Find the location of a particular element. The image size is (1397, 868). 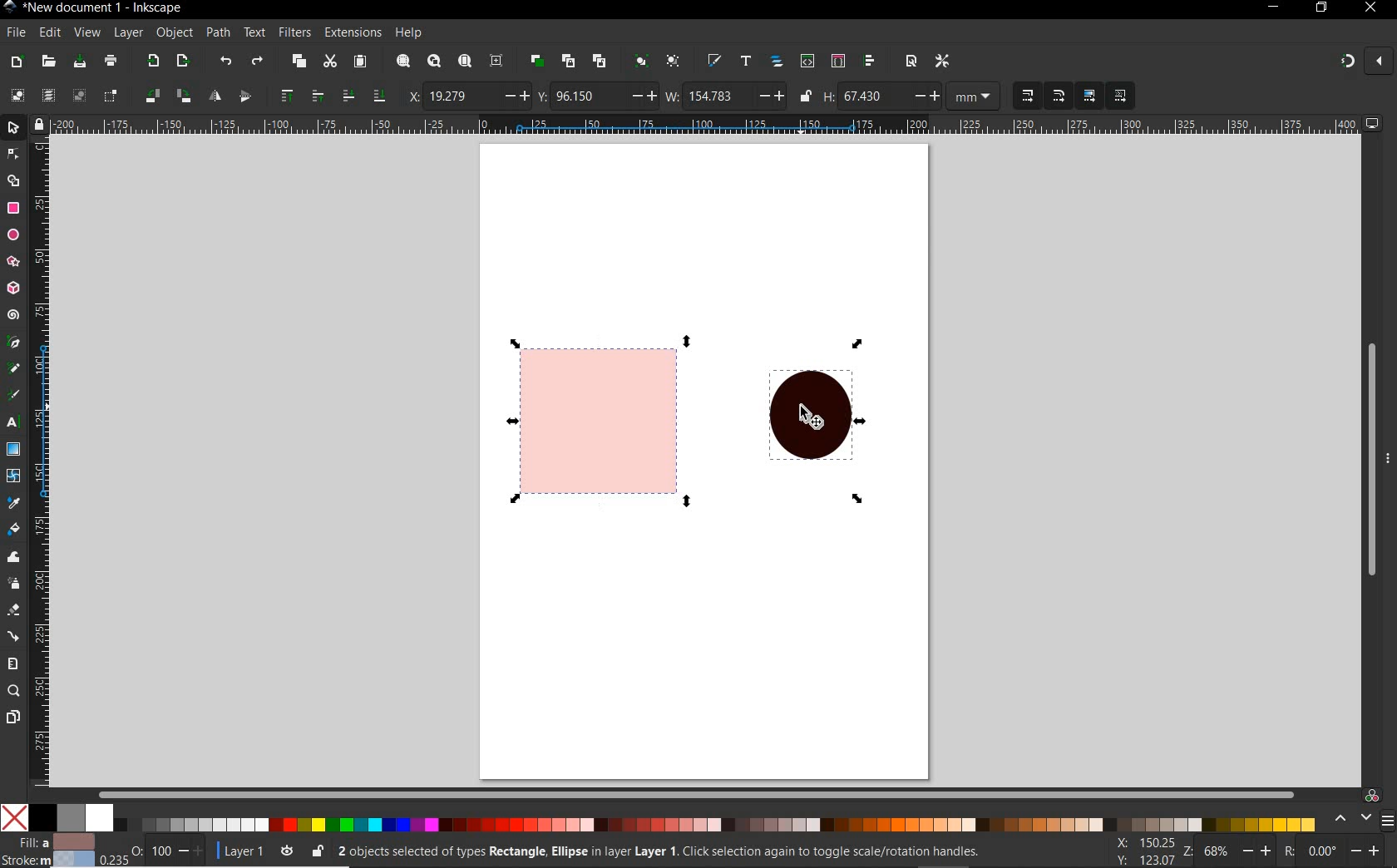

ruler is located at coordinates (708, 124).